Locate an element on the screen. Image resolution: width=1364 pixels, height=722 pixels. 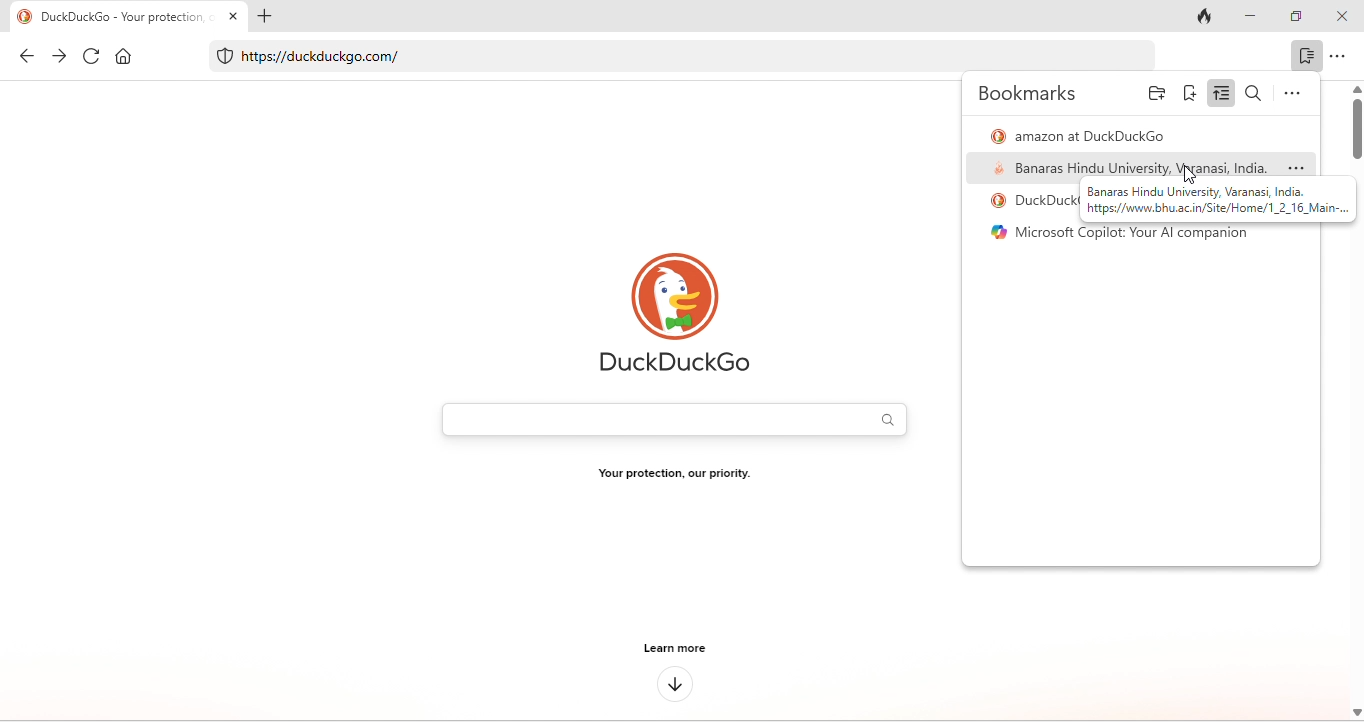
learn more is located at coordinates (672, 648).